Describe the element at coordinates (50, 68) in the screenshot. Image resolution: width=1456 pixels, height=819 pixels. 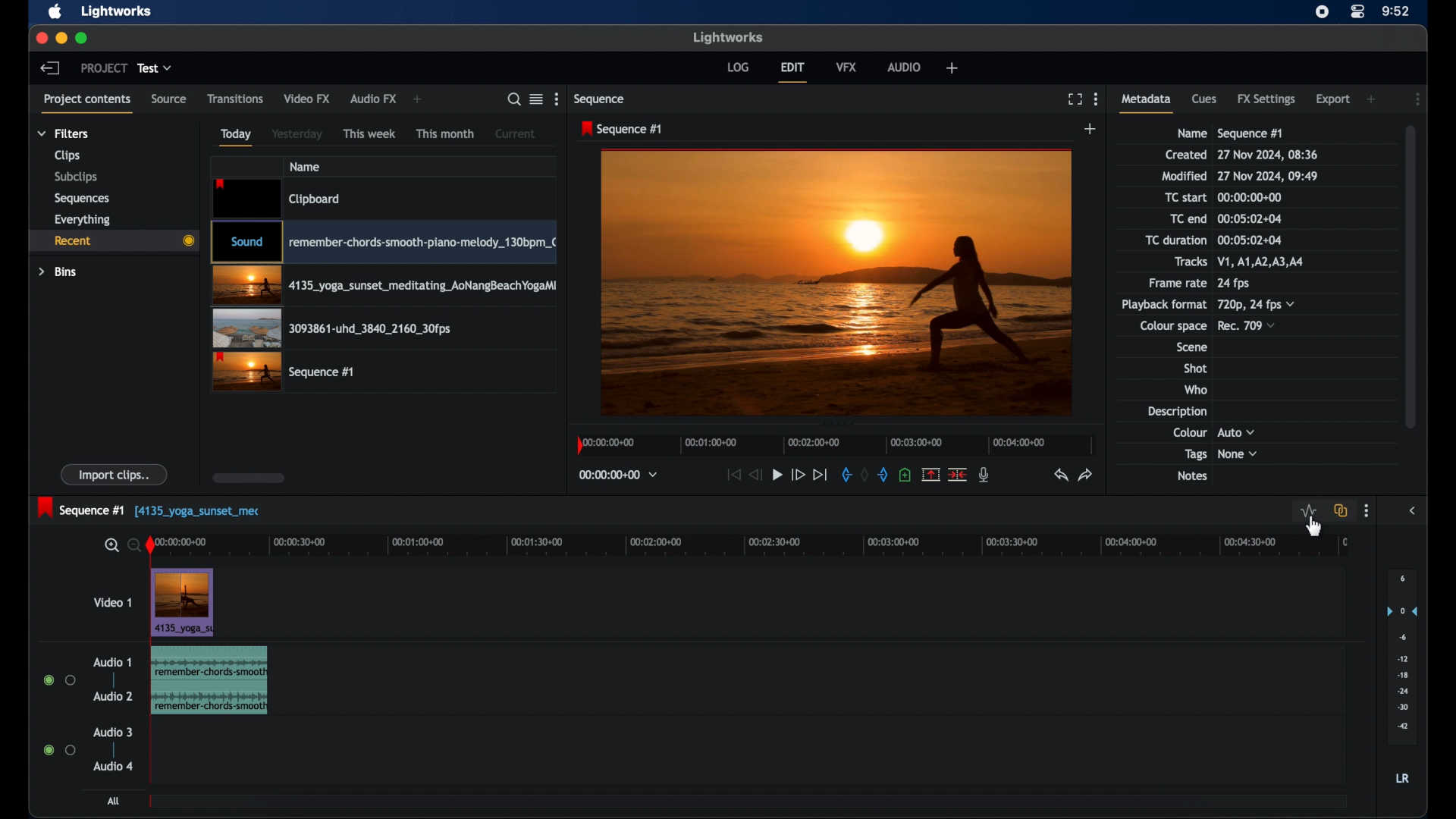
I see `back` at that location.